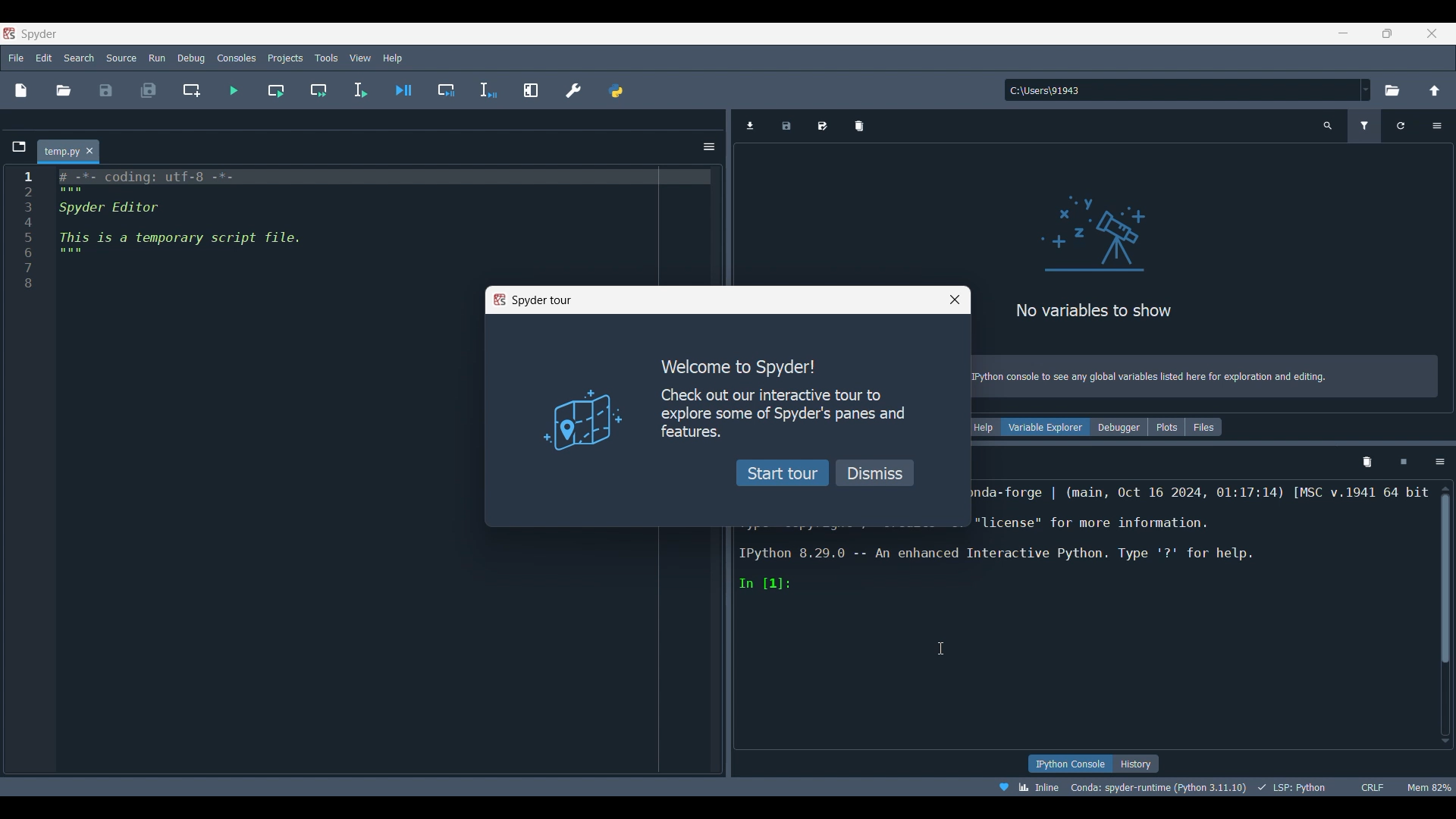 The width and height of the screenshot is (1456, 819). Describe the element at coordinates (1402, 461) in the screenshot. I see `pause` at that location.